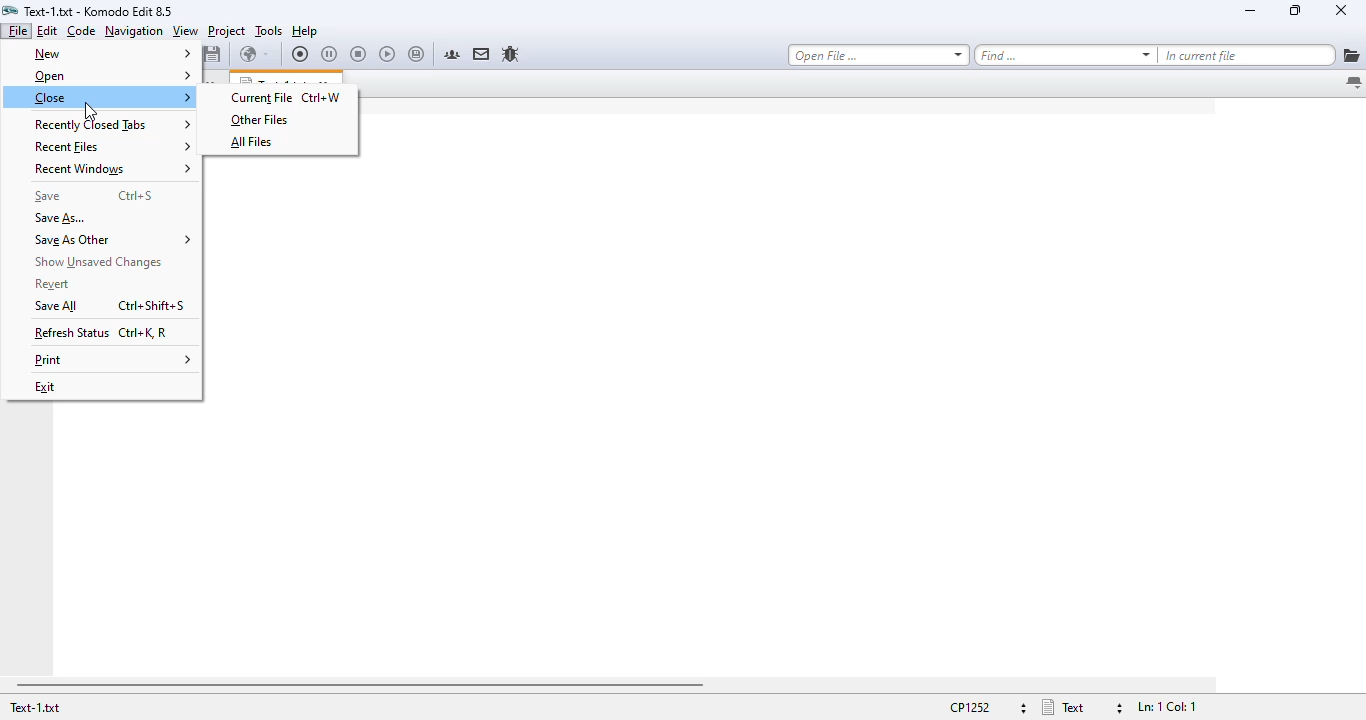 This screenshot has height=720, width=1366. I want to click on save all, so click(58, 306).